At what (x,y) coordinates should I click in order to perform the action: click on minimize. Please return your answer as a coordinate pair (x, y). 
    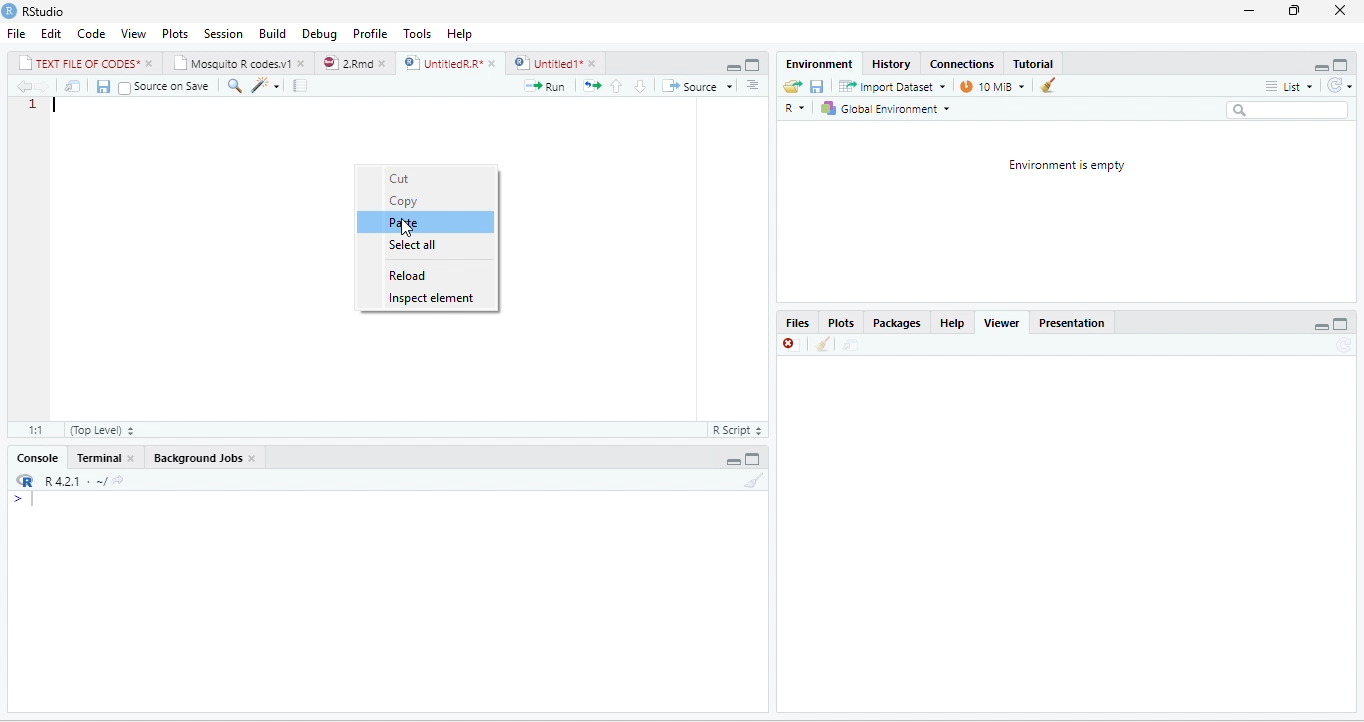
    Looking at the image, I should click on (1320, 324).